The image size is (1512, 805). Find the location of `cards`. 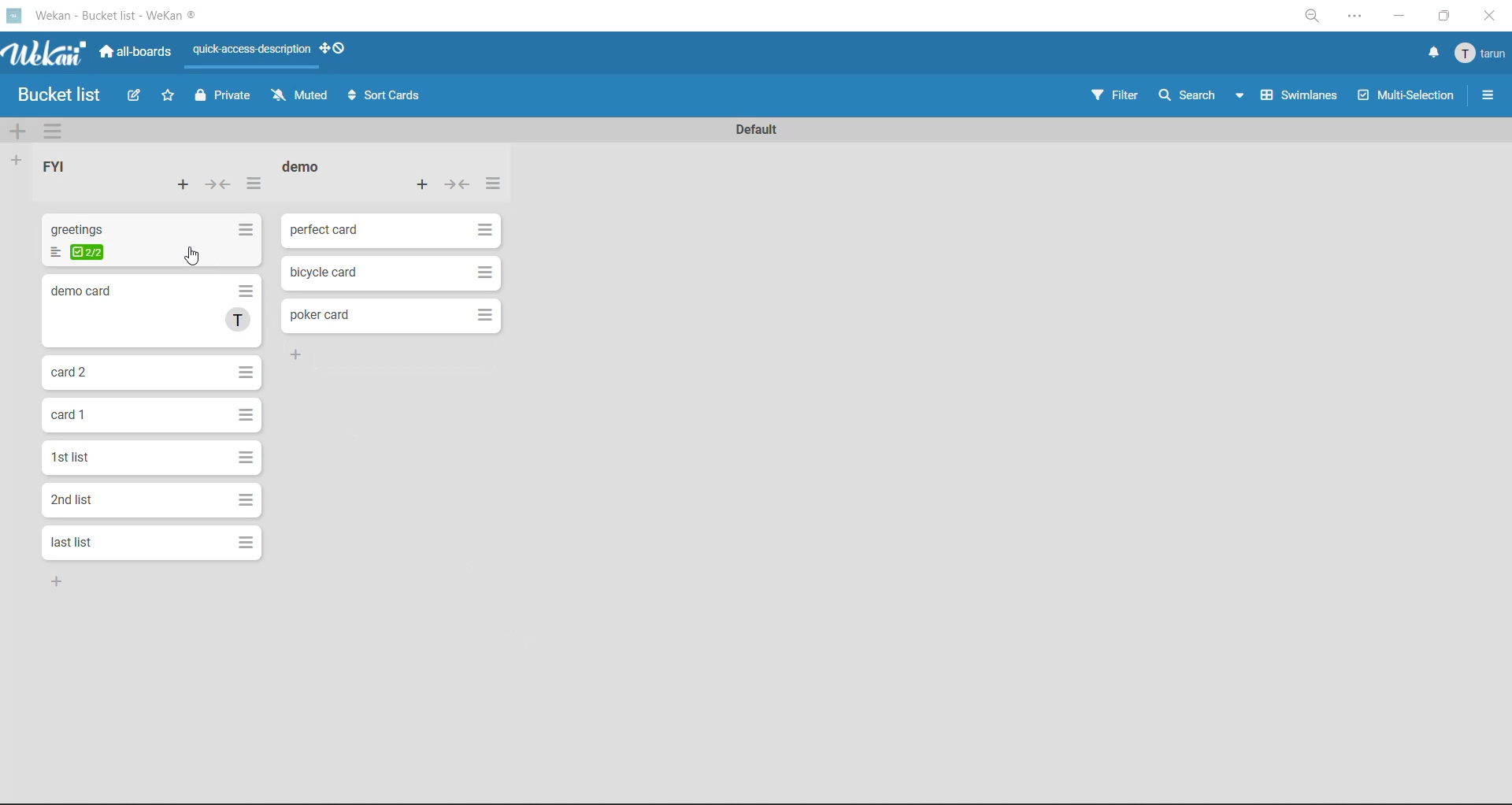

cards is located at coordinates (150, 541).